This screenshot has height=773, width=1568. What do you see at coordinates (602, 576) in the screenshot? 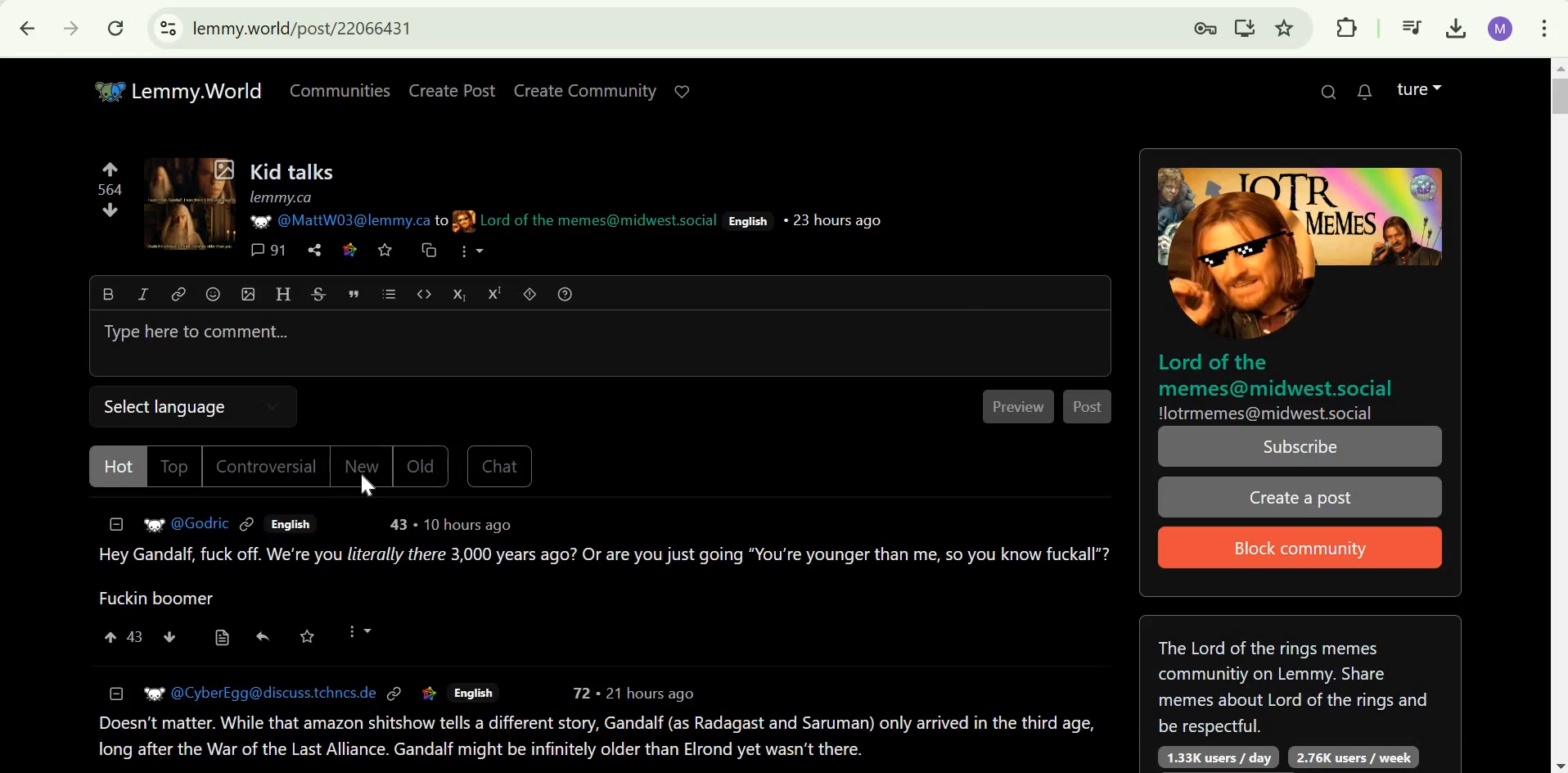
I see `Comment` at bounding box center [602, 576].